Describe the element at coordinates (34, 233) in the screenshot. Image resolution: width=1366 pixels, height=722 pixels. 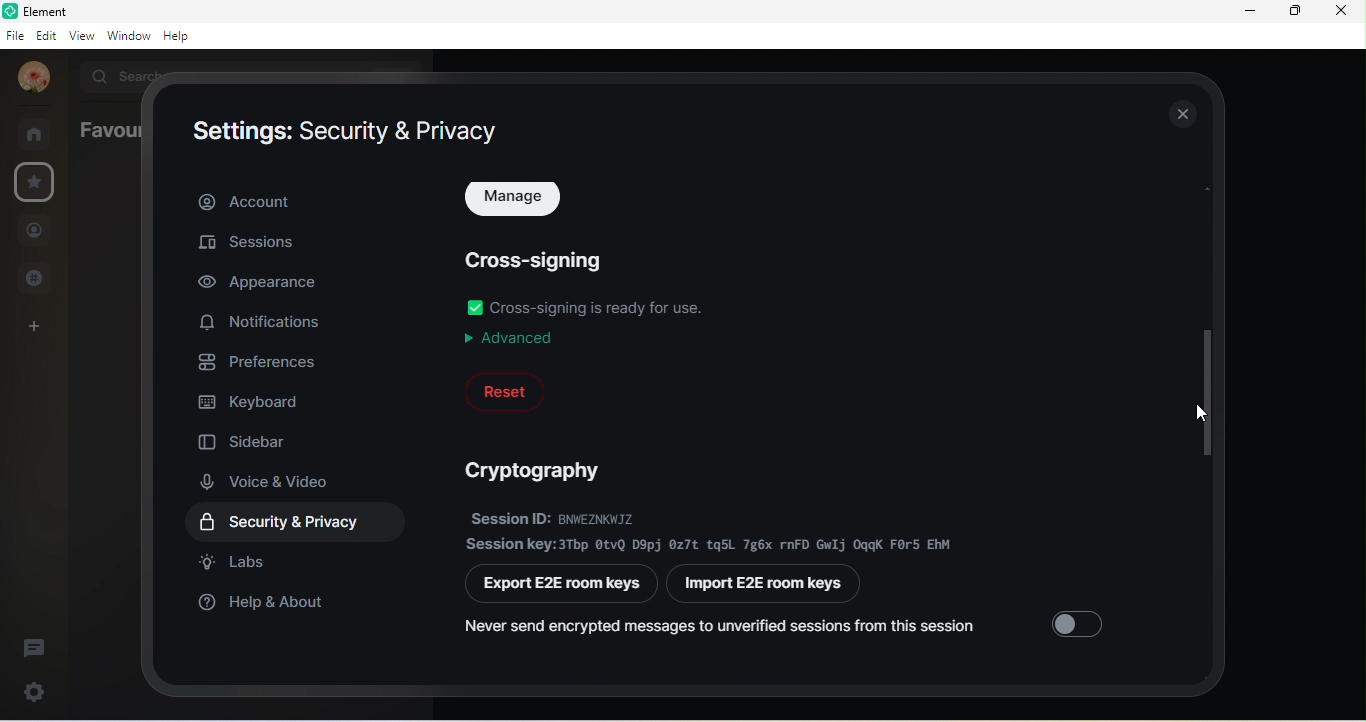
I see `people` at that location.